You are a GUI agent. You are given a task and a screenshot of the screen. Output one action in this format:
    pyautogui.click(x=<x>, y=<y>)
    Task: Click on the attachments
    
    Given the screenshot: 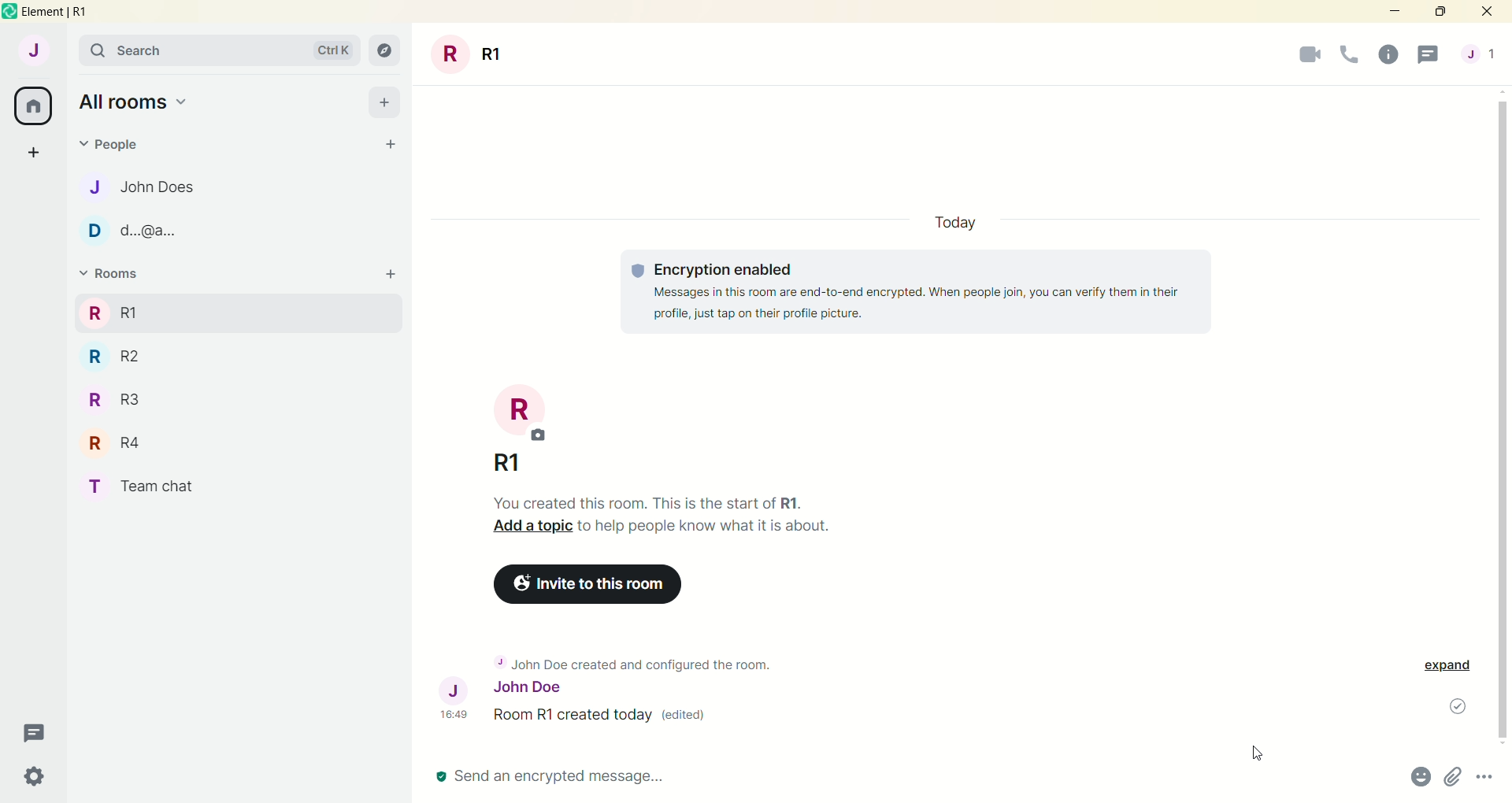 What is the action you would take?
    pyautogui.click(x=1453, y=779)
    